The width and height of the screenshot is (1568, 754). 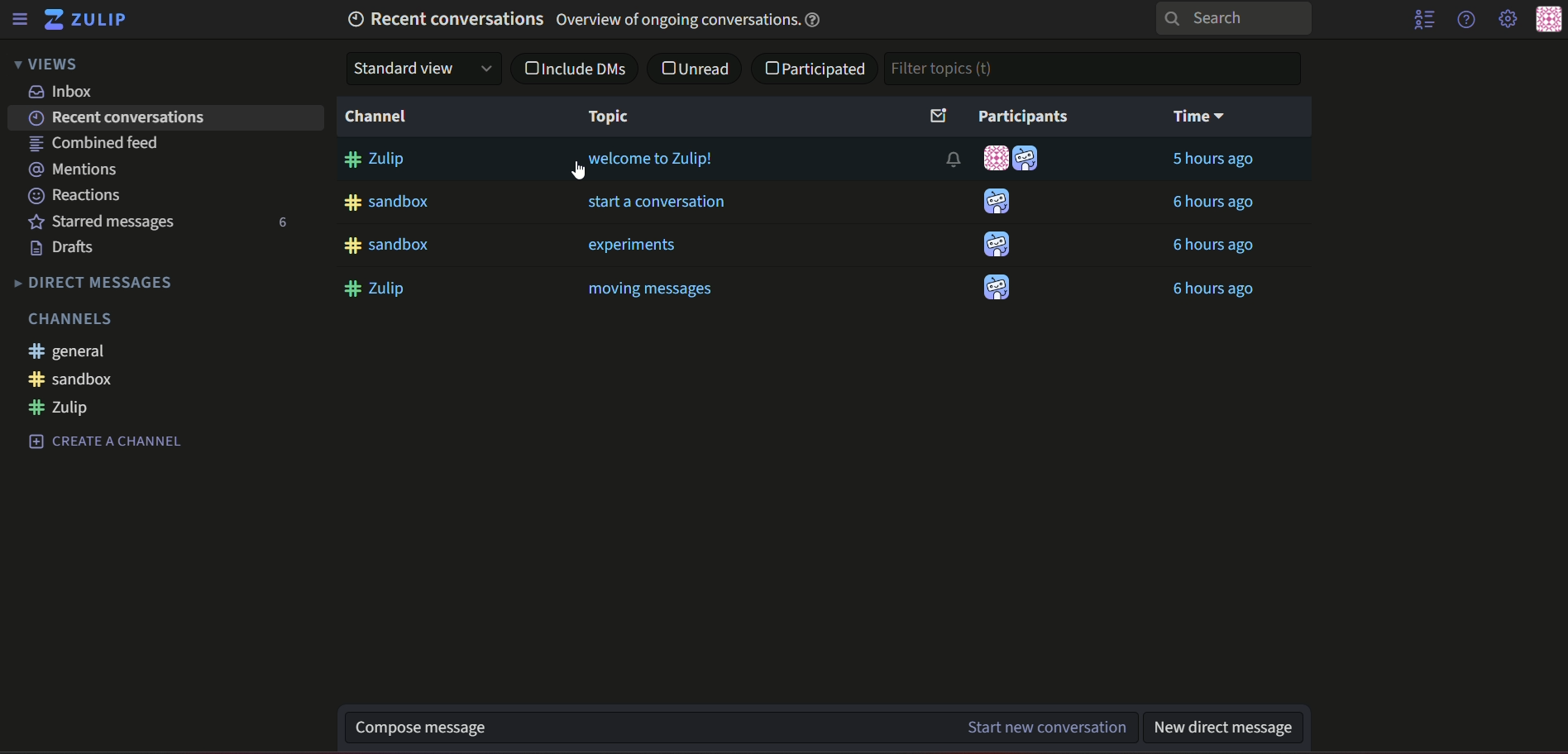 I want to click on #Zulip, so click(x=377, y=159).